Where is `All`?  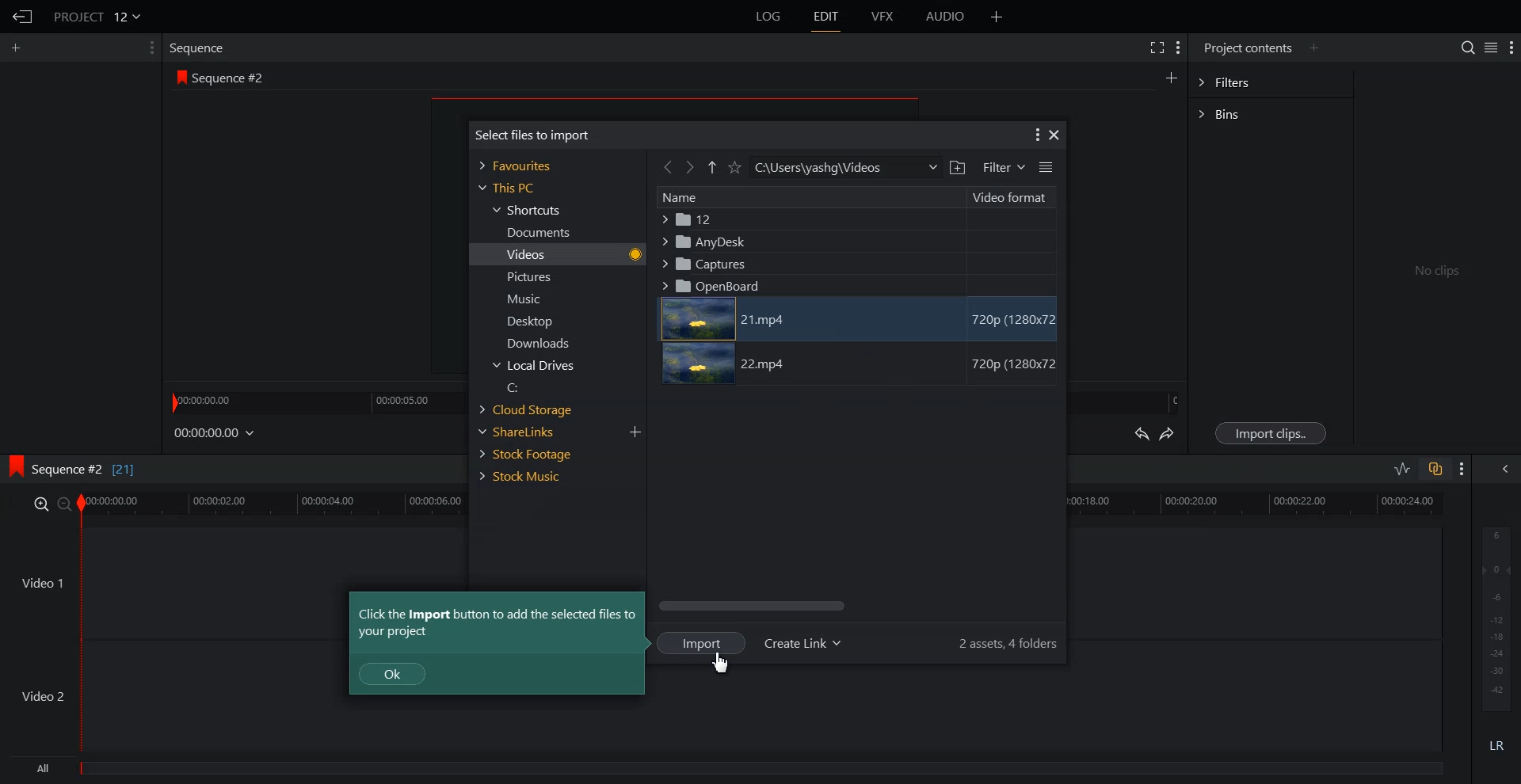 All is located at coordinates (729, 771).